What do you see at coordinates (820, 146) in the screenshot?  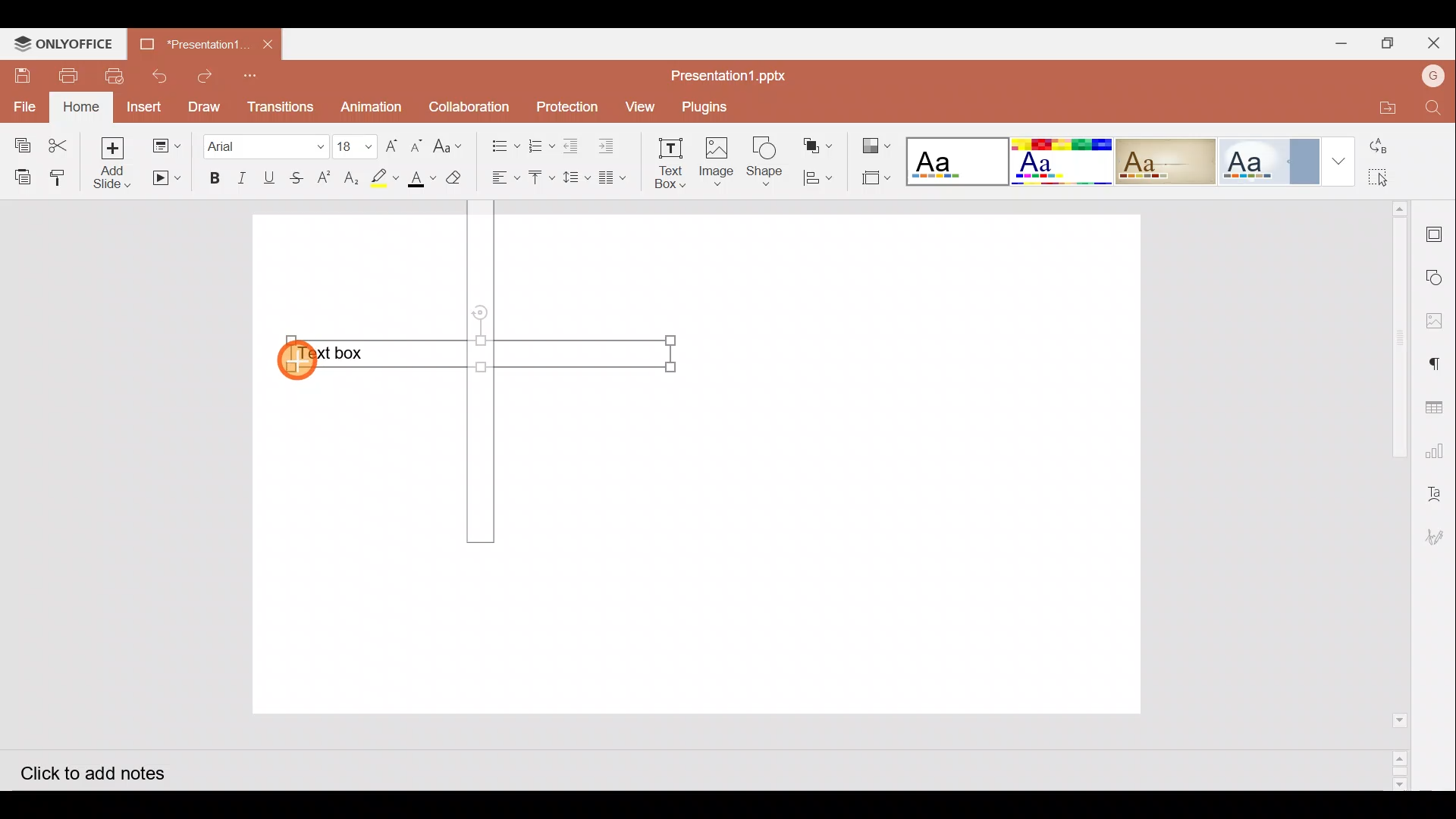 I see `Arrange shape` at bounding box center [820, 146].